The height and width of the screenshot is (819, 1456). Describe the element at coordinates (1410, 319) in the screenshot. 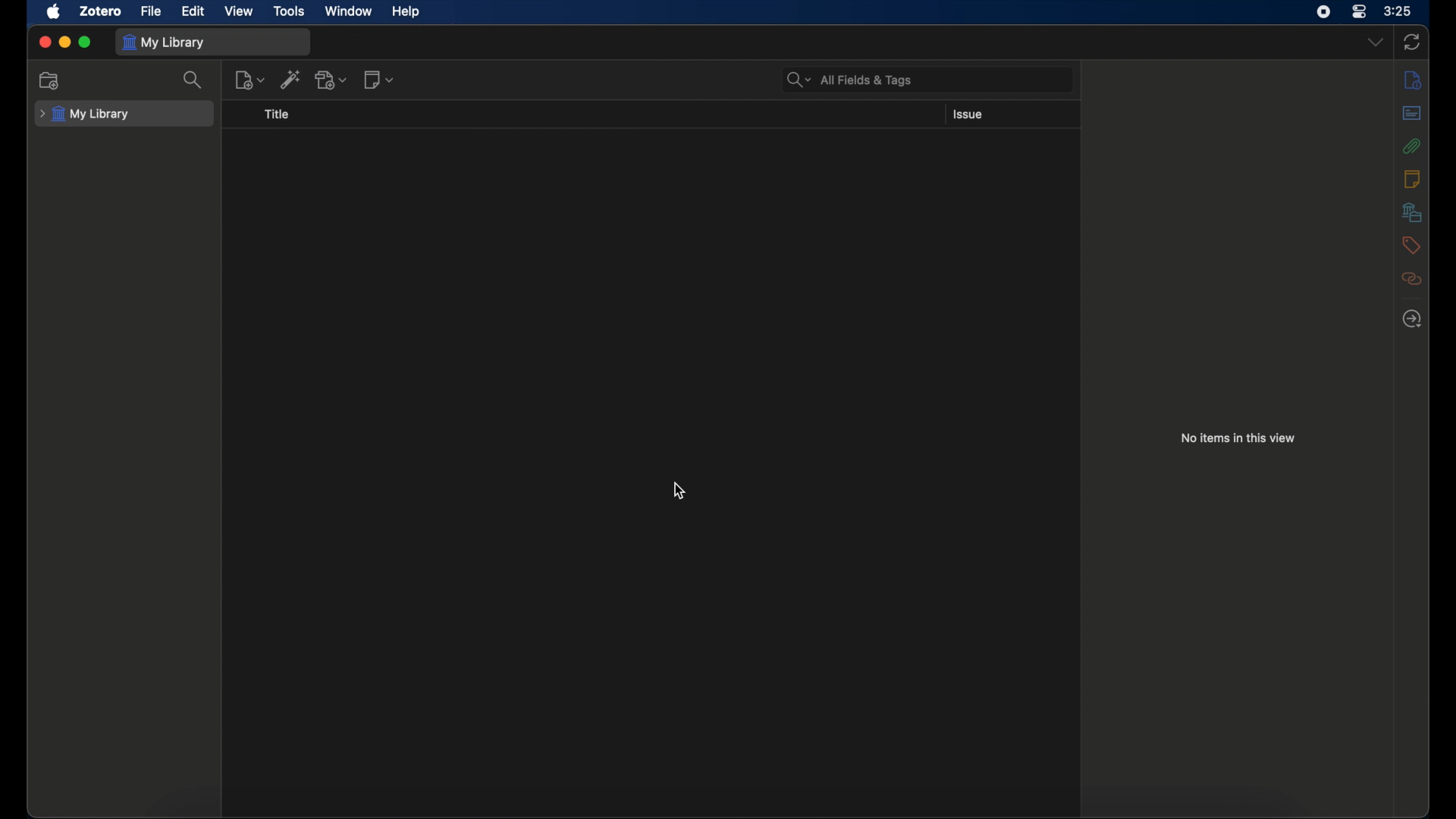

I see `locate` at that location.